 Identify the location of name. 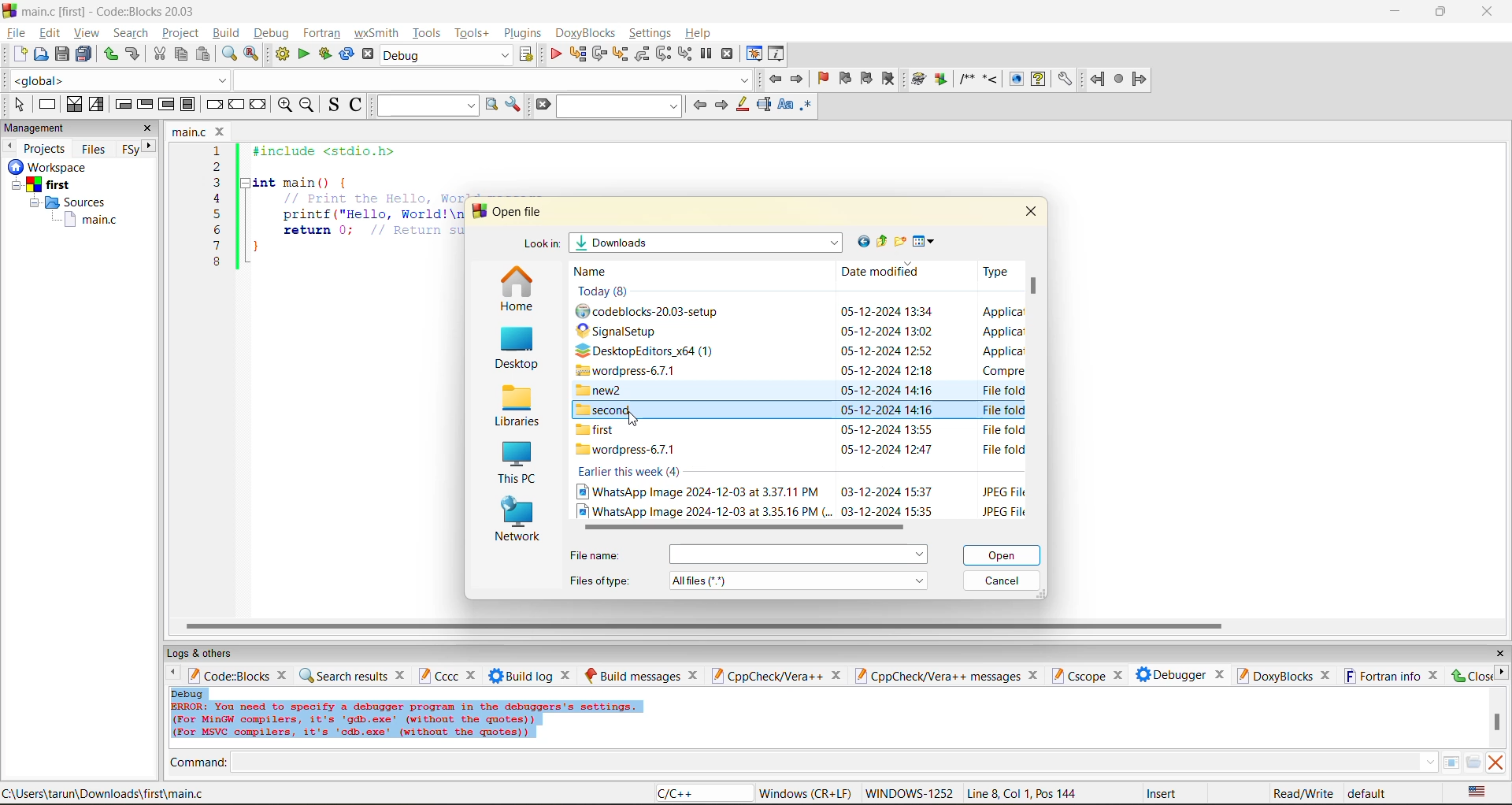
(598, 272).